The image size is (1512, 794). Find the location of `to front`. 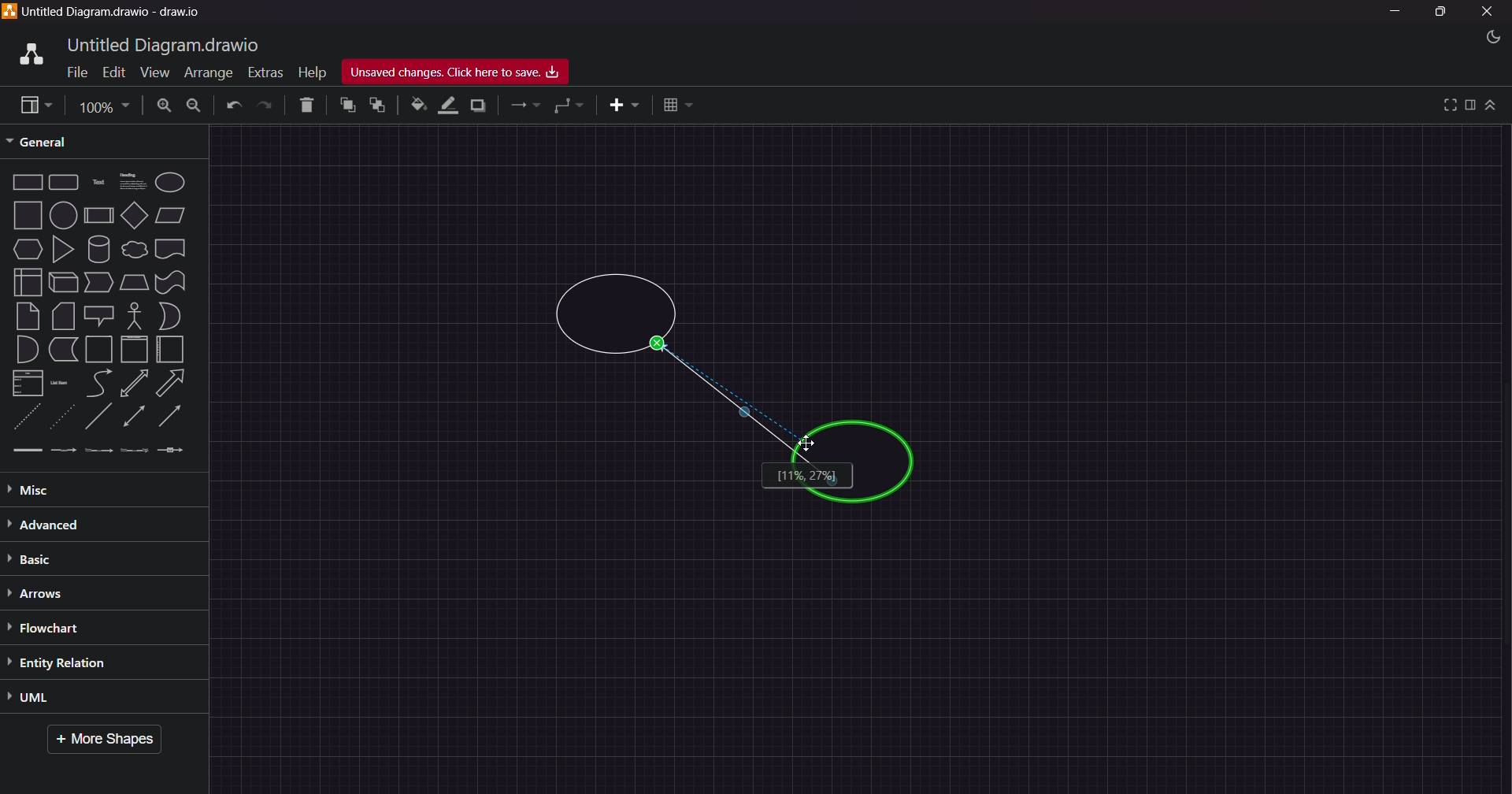

to front is located at coordinates (346, 106).